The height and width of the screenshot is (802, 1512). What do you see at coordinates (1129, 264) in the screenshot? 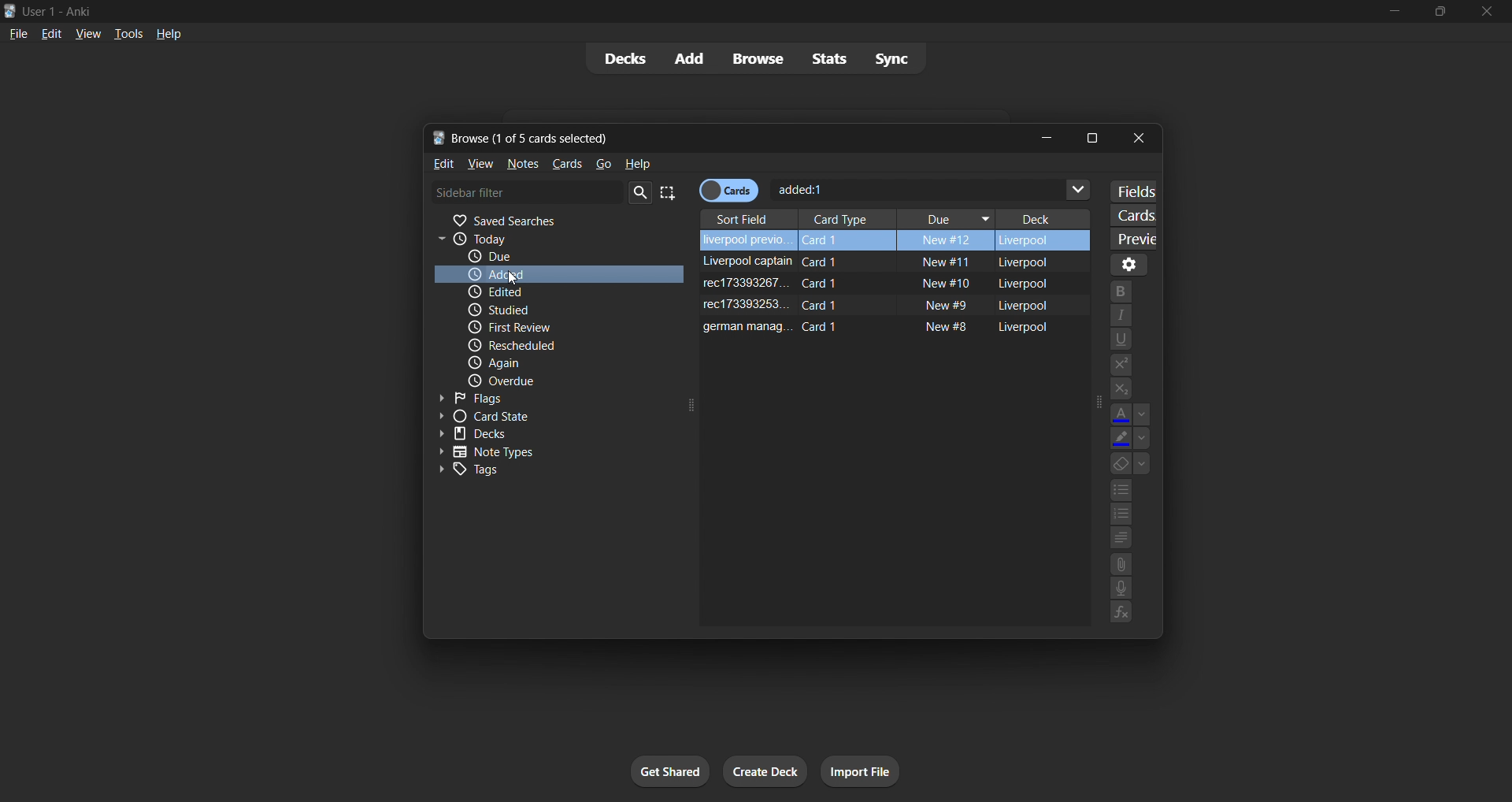
I see `options` at bounding box center [1129, 264].